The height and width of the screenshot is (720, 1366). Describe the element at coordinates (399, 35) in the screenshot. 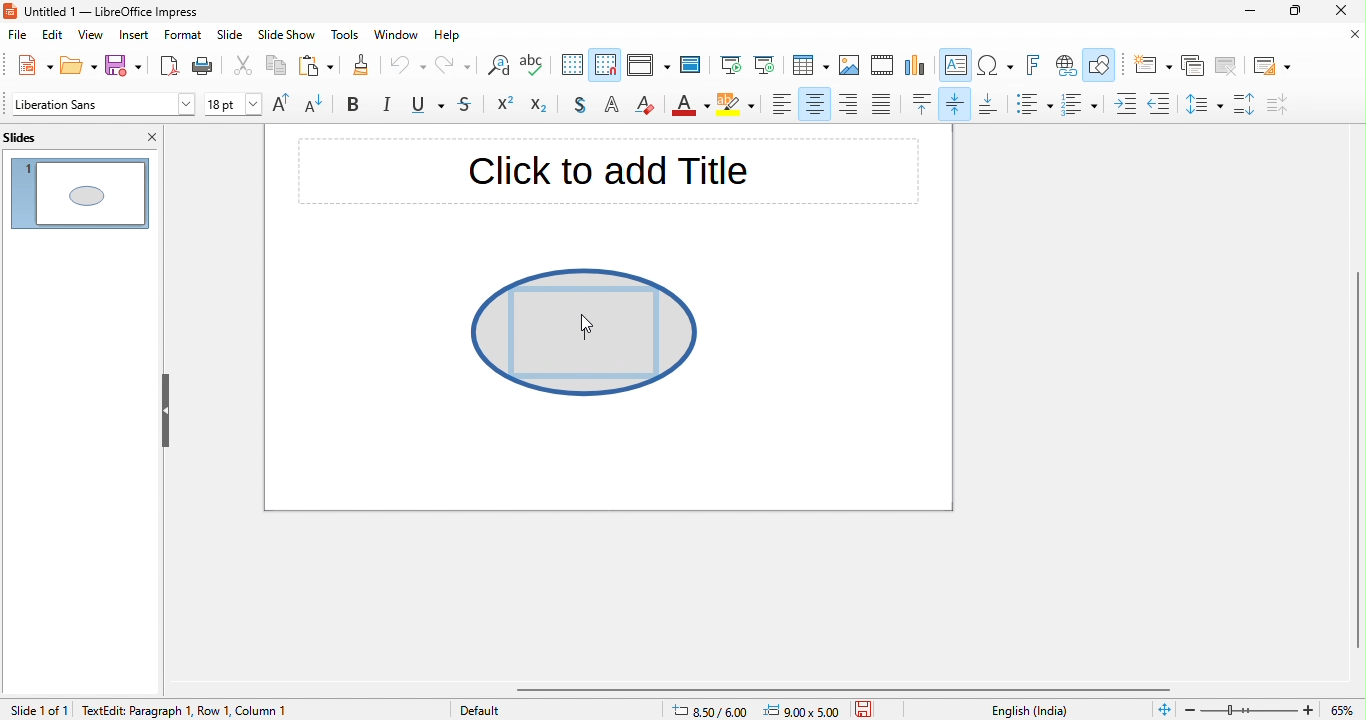

I see `window` at that location.